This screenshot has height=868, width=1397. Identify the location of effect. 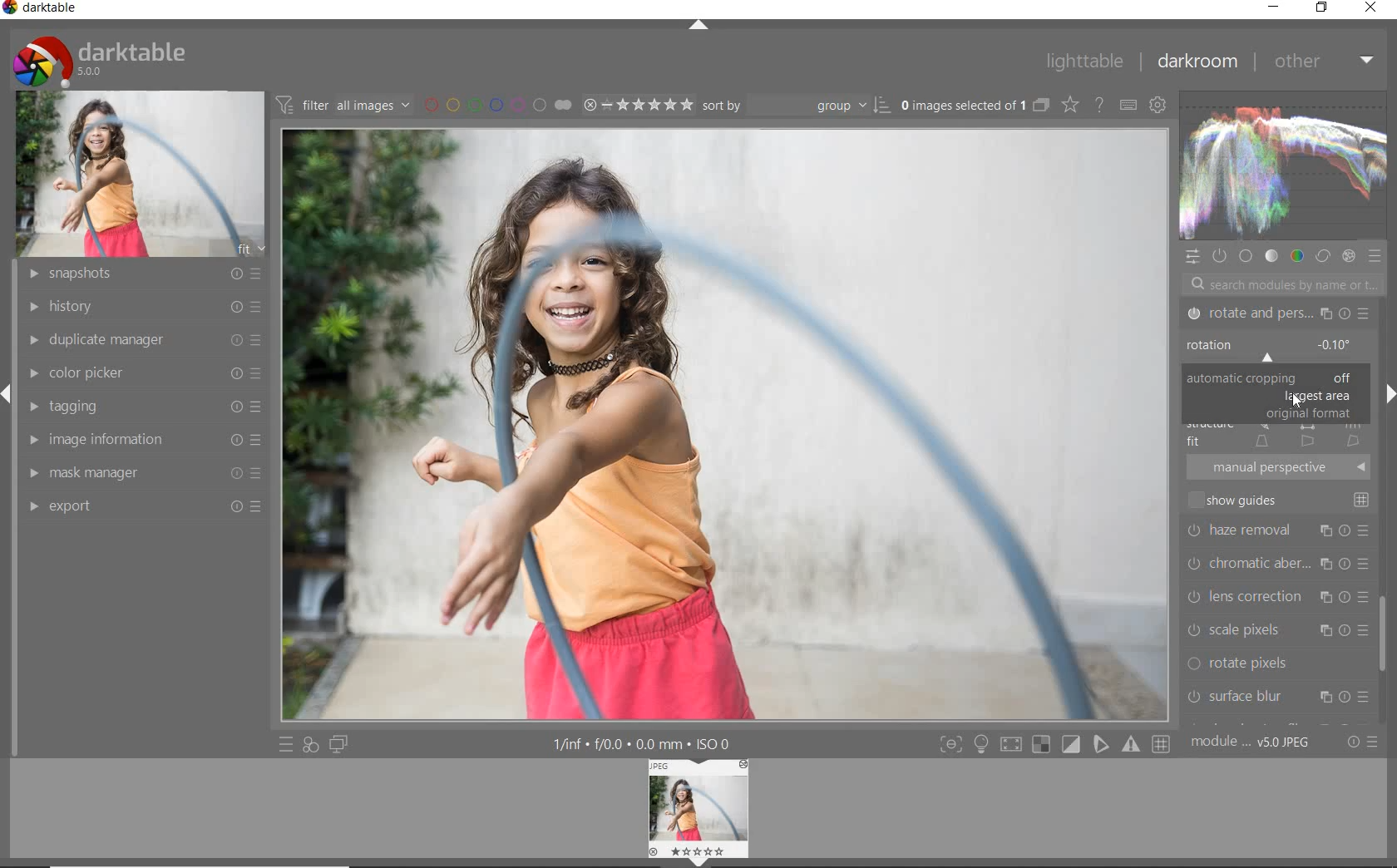
(1350, 258).